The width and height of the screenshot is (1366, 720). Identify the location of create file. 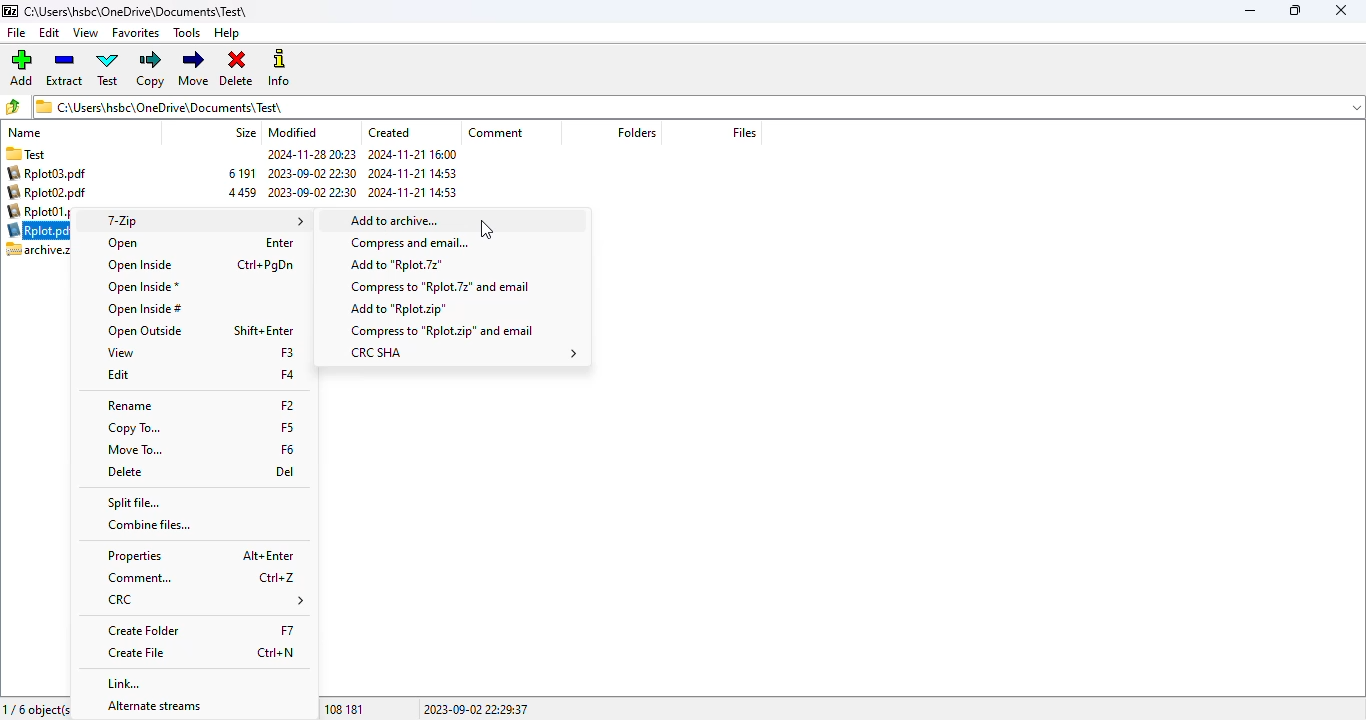
(136, 653).